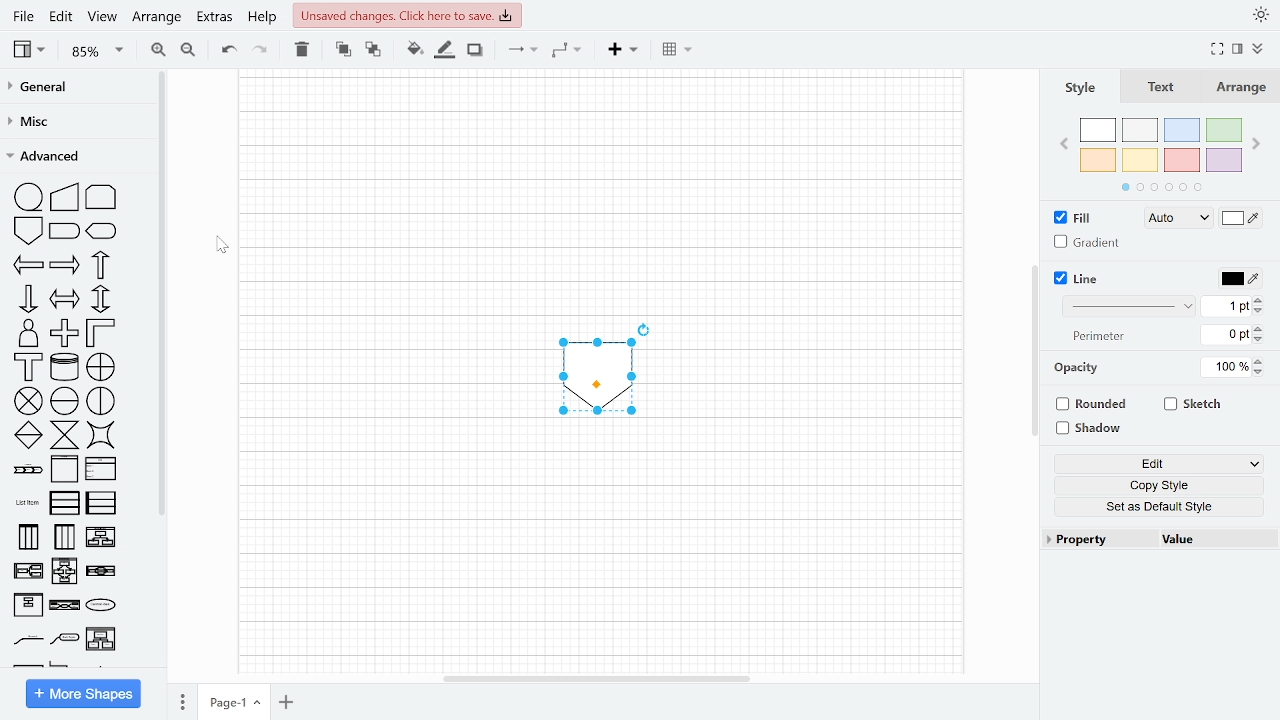 Image resolution: width=1280 pixels, height=720 pixels. Describe the element at coordinates (187, 50) in the screenshot. I see `Zoom out` at that location.